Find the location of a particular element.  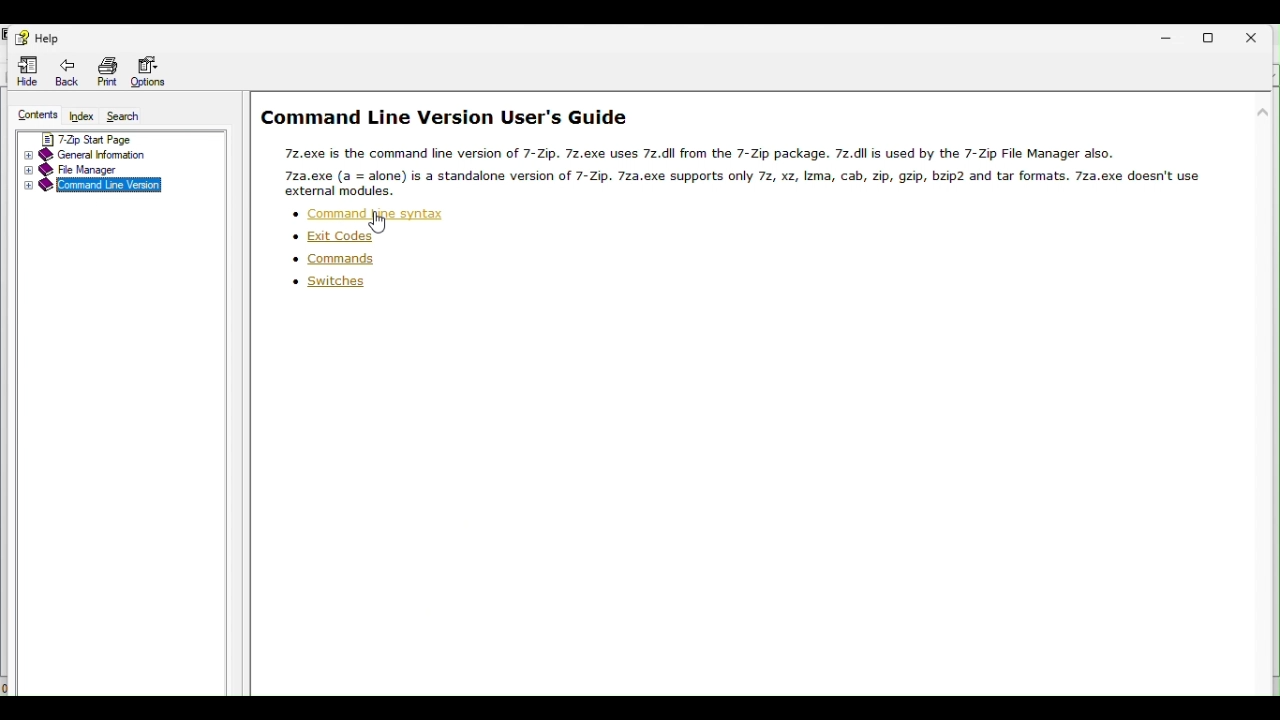

Command line version is located at coordinates (89, 188).